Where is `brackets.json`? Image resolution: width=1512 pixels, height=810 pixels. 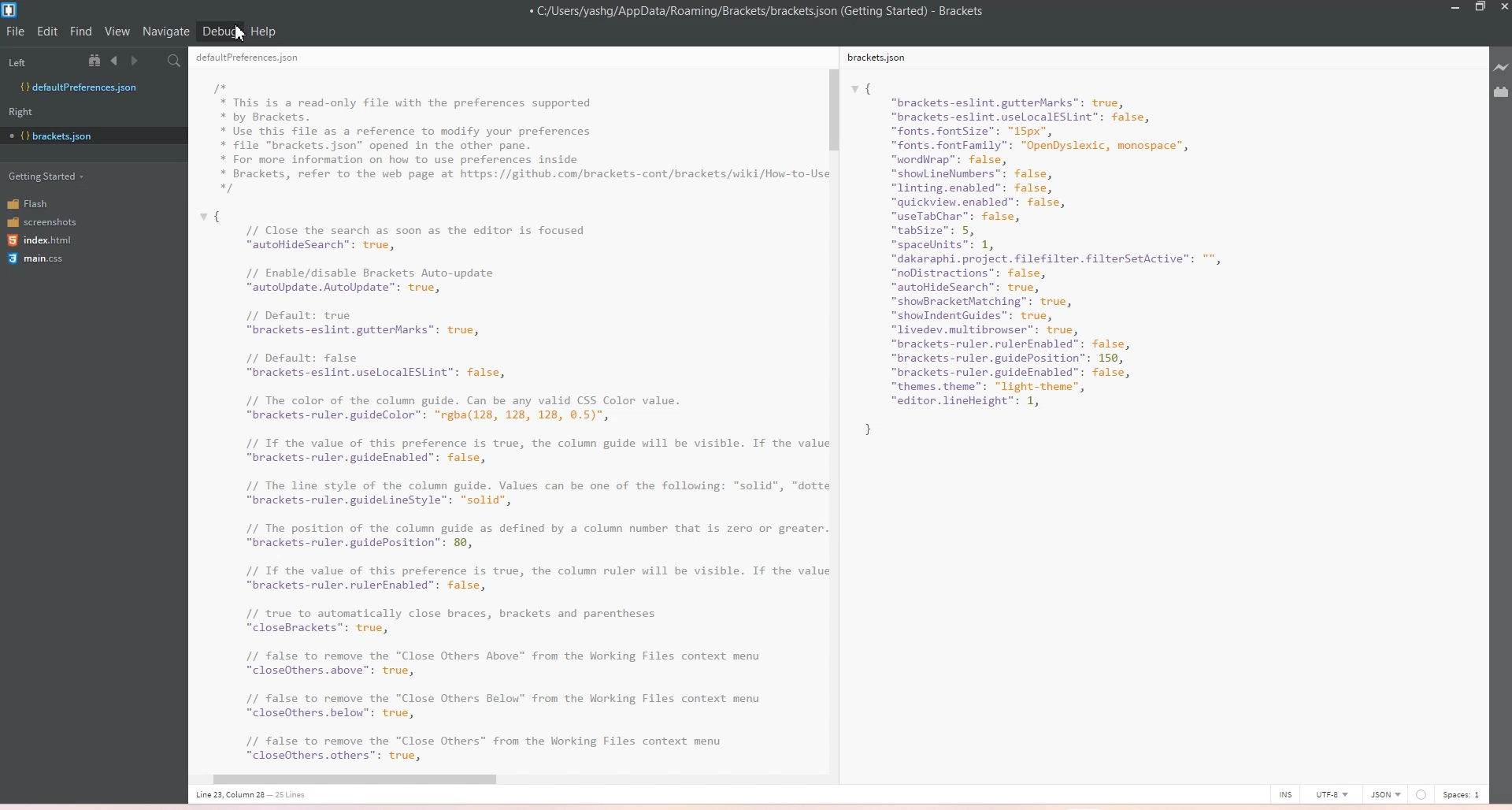 brackets.json is located at coordinates (884, 60).